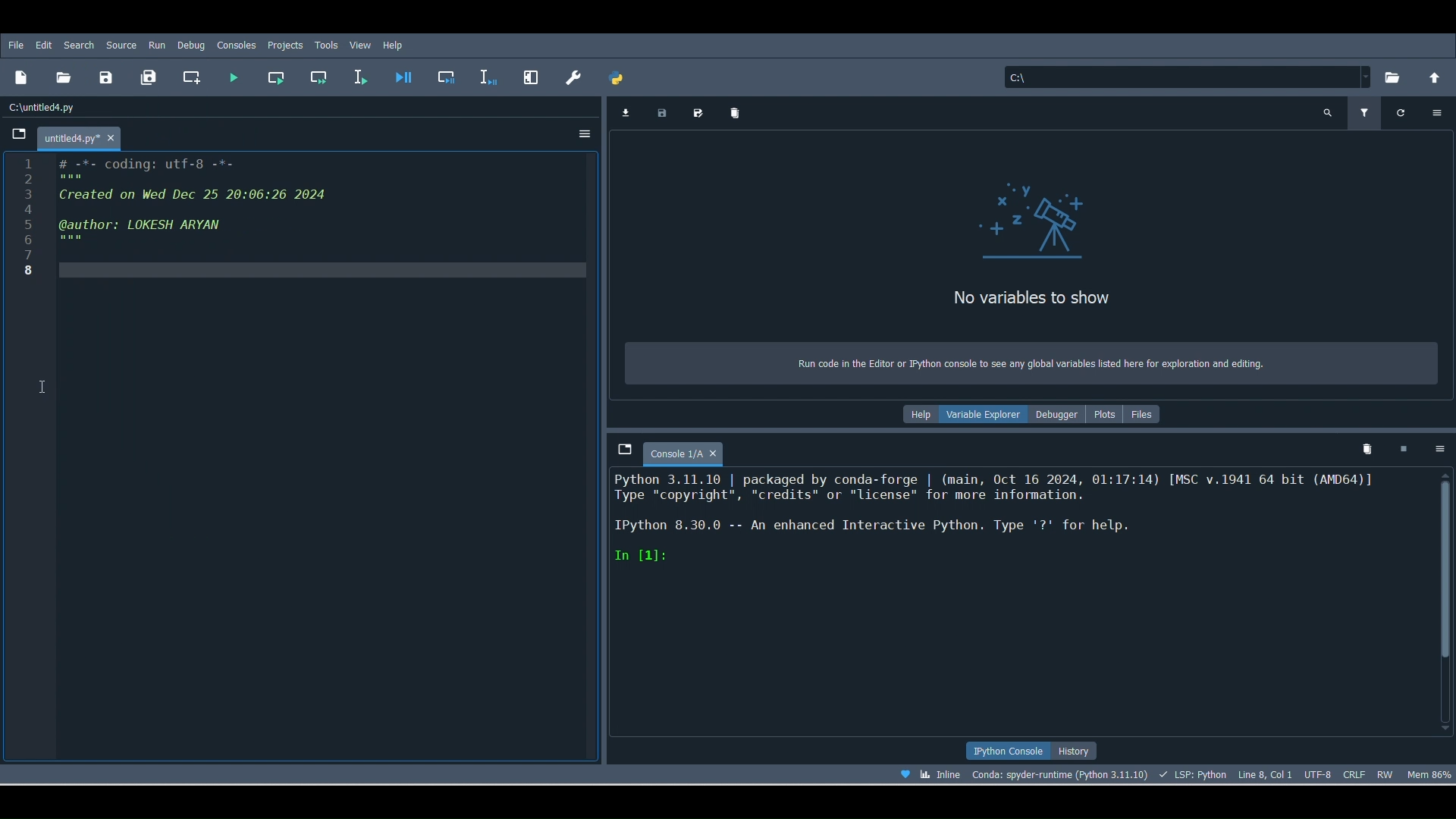 This screenshot has width=1456, height=819. I want to click on Consoles, so click(238, 45).